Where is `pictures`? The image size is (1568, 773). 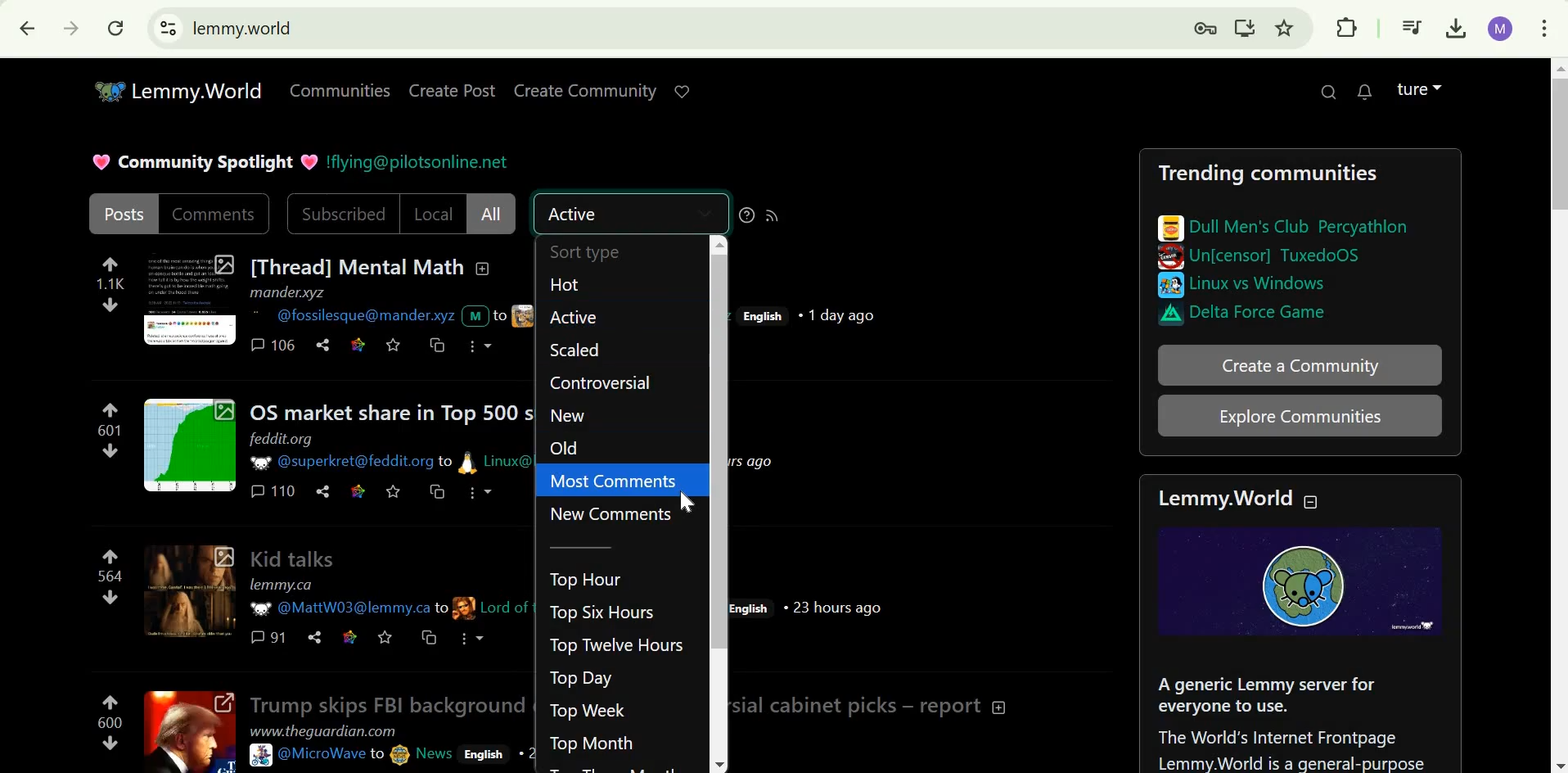 pictures is located at coordinates (1166, 223).